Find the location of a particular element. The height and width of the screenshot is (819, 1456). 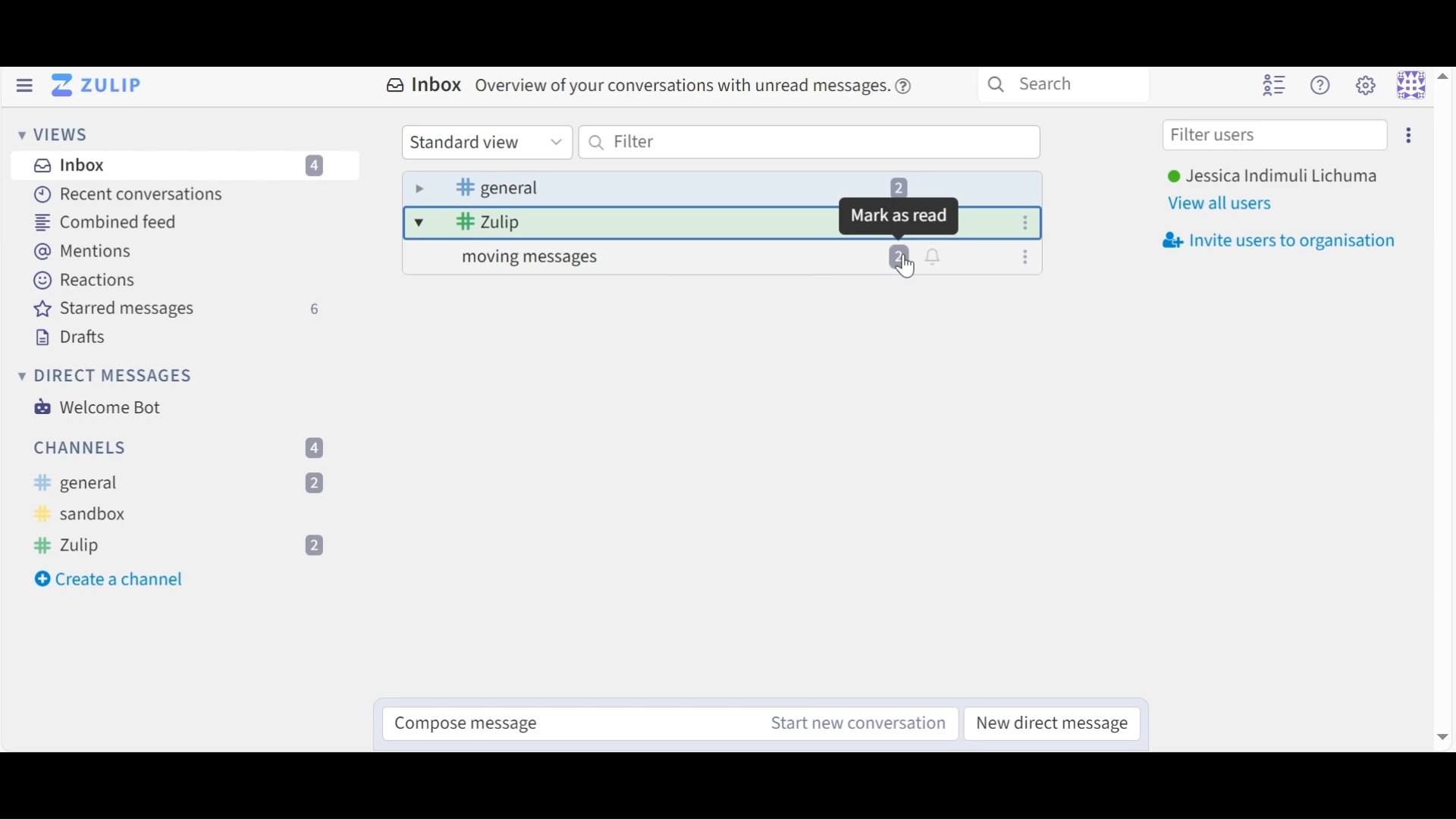

Invite users to organisation is located at coordinates (1285, 237).